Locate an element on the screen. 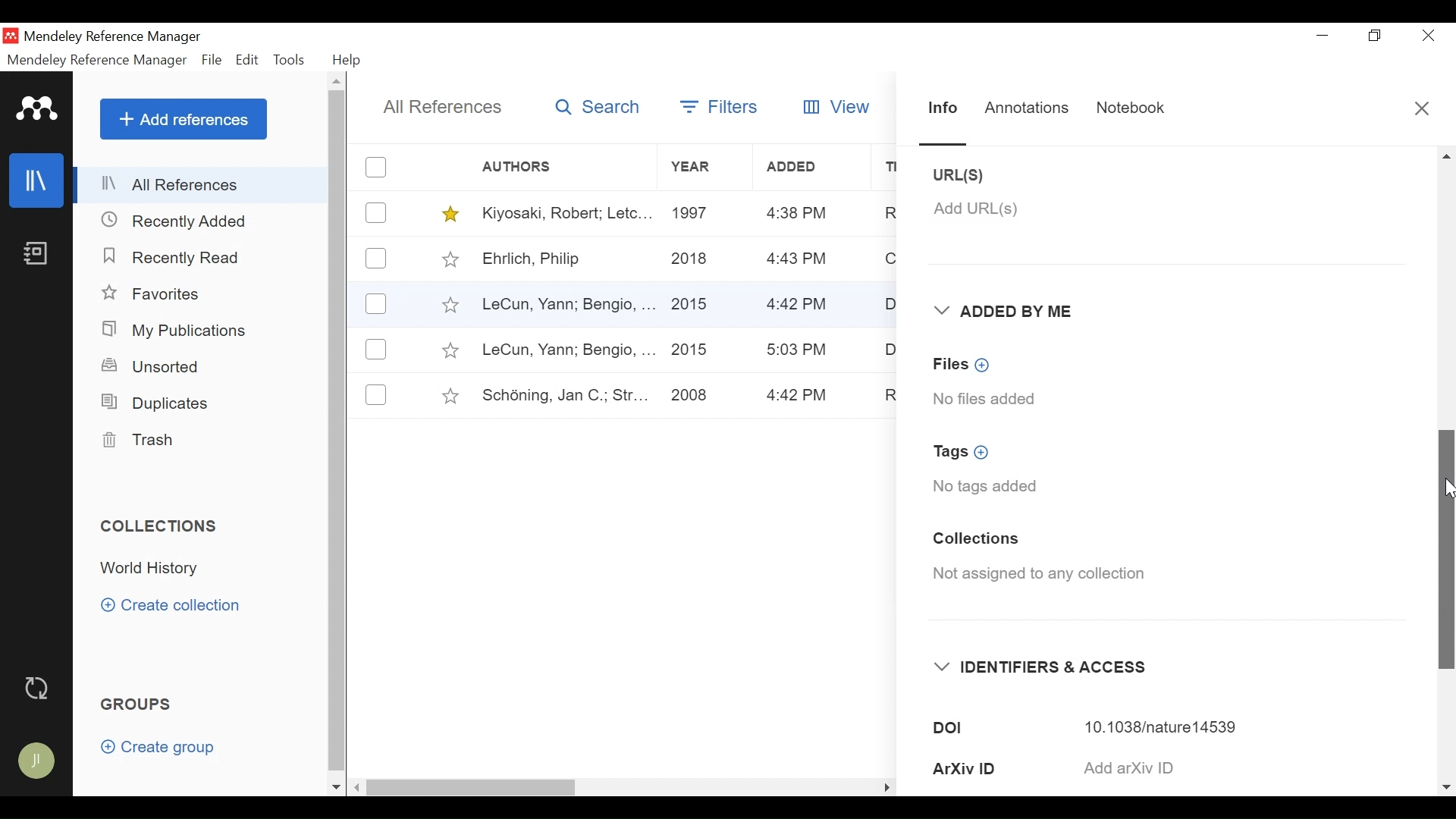 This screenshot has width=1456, height=819. Search is located at coordinates (595, 106).